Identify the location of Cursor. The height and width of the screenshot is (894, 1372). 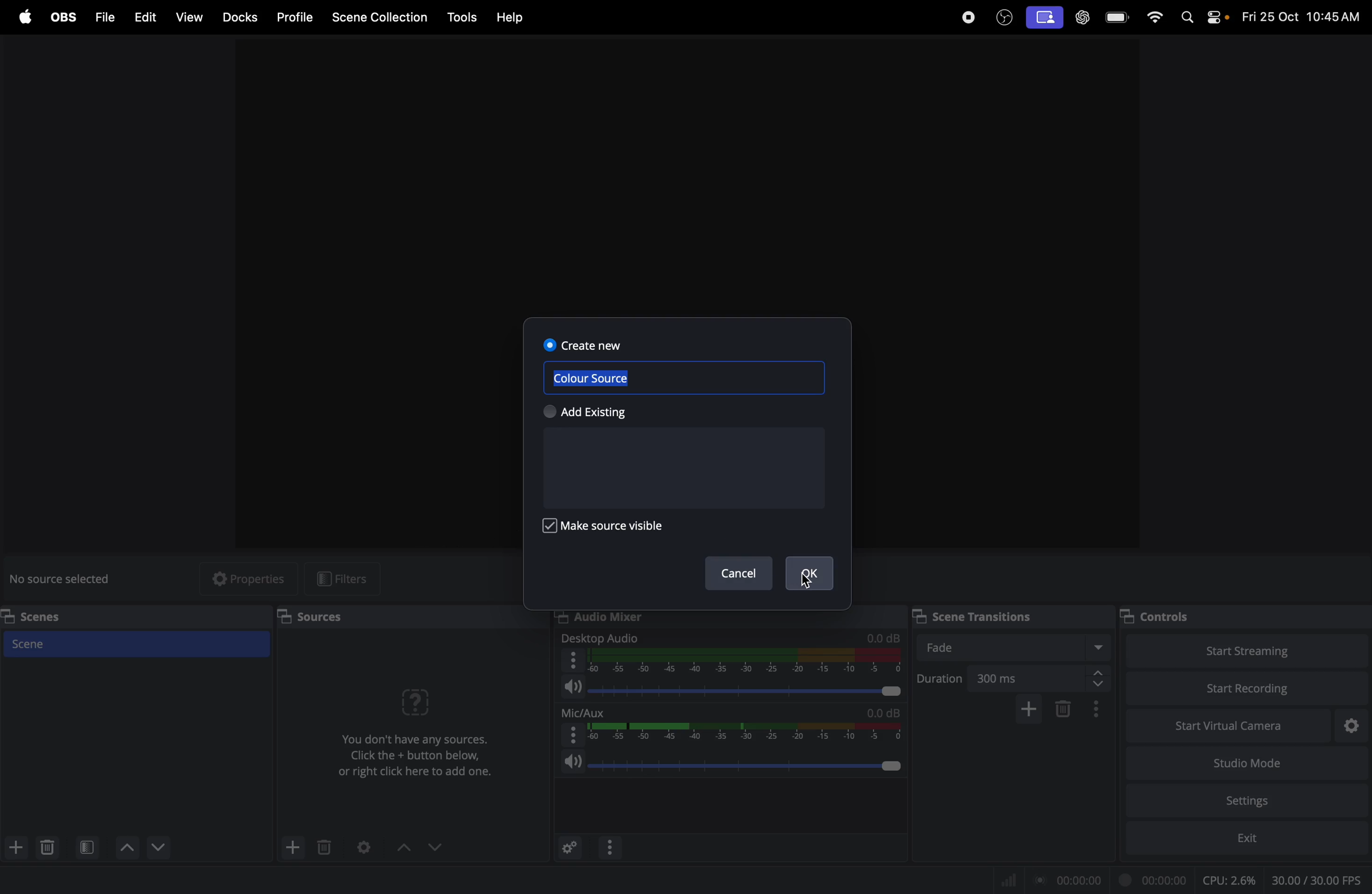
(806, 582).